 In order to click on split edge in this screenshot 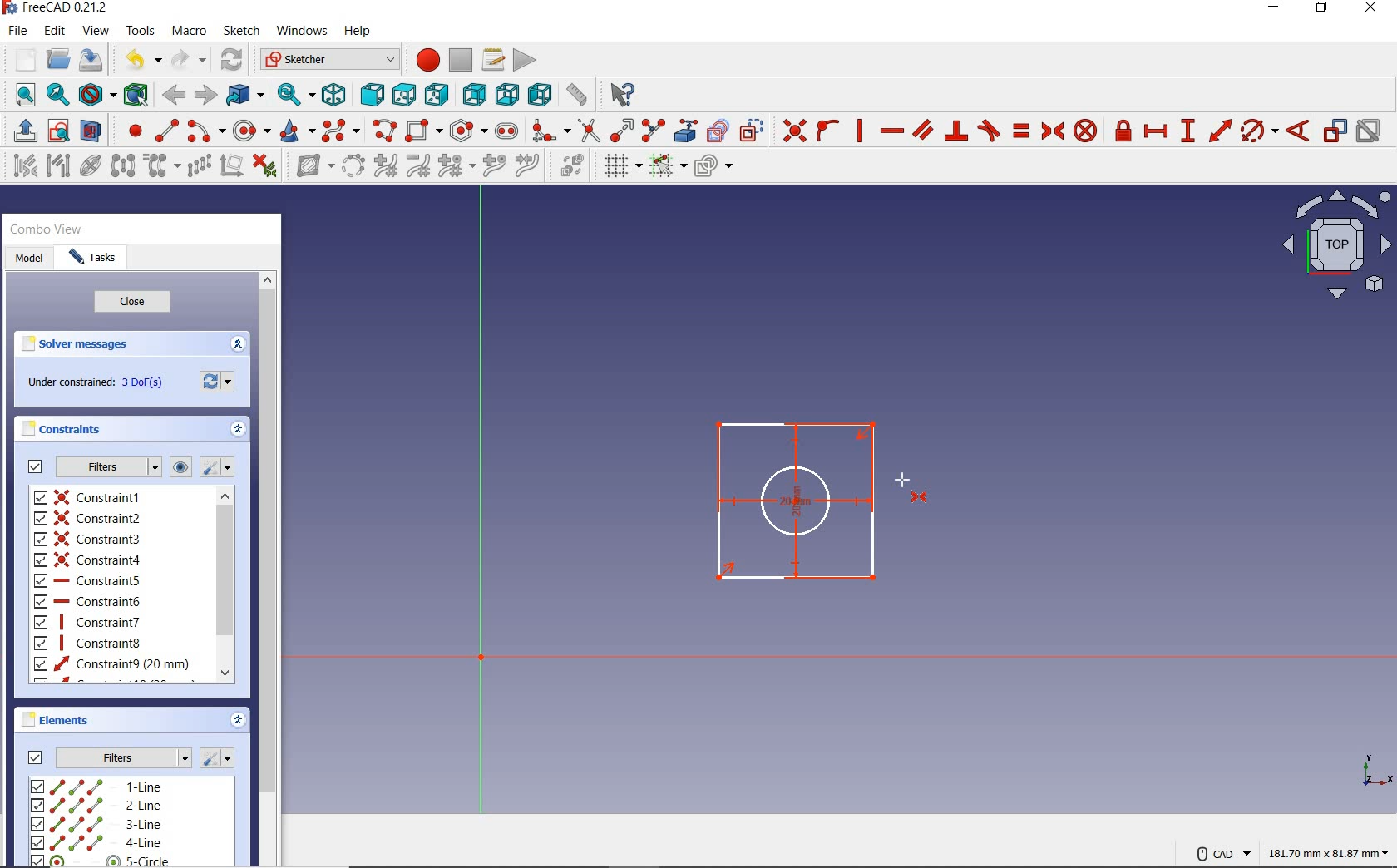, I will do `click(653, 129)`.